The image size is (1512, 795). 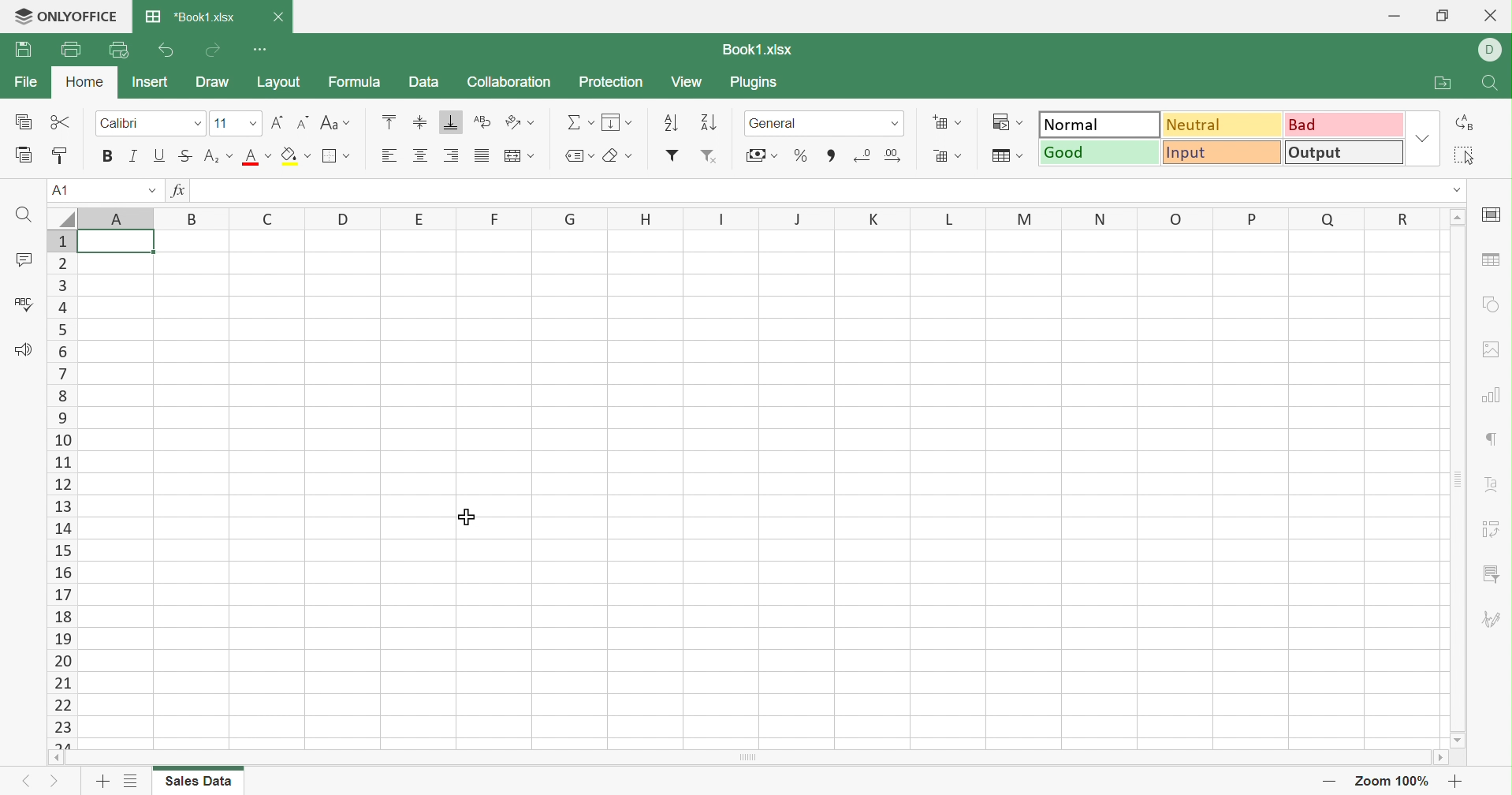 I want to click on Add sheet, so click(x=102, y=781).